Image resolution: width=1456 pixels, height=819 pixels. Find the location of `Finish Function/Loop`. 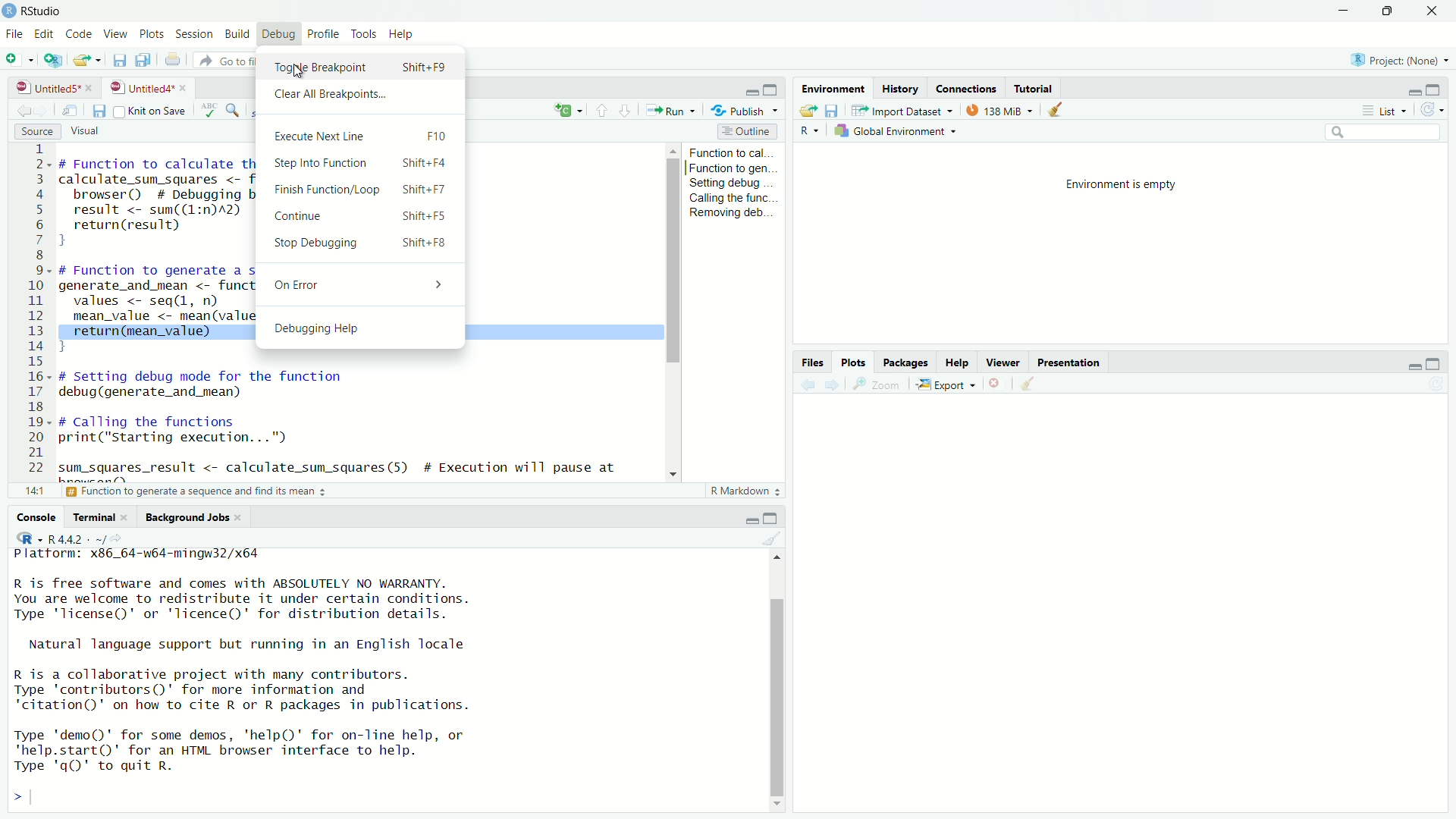

Finish Function/Loop is located at coordinates (362, 190).